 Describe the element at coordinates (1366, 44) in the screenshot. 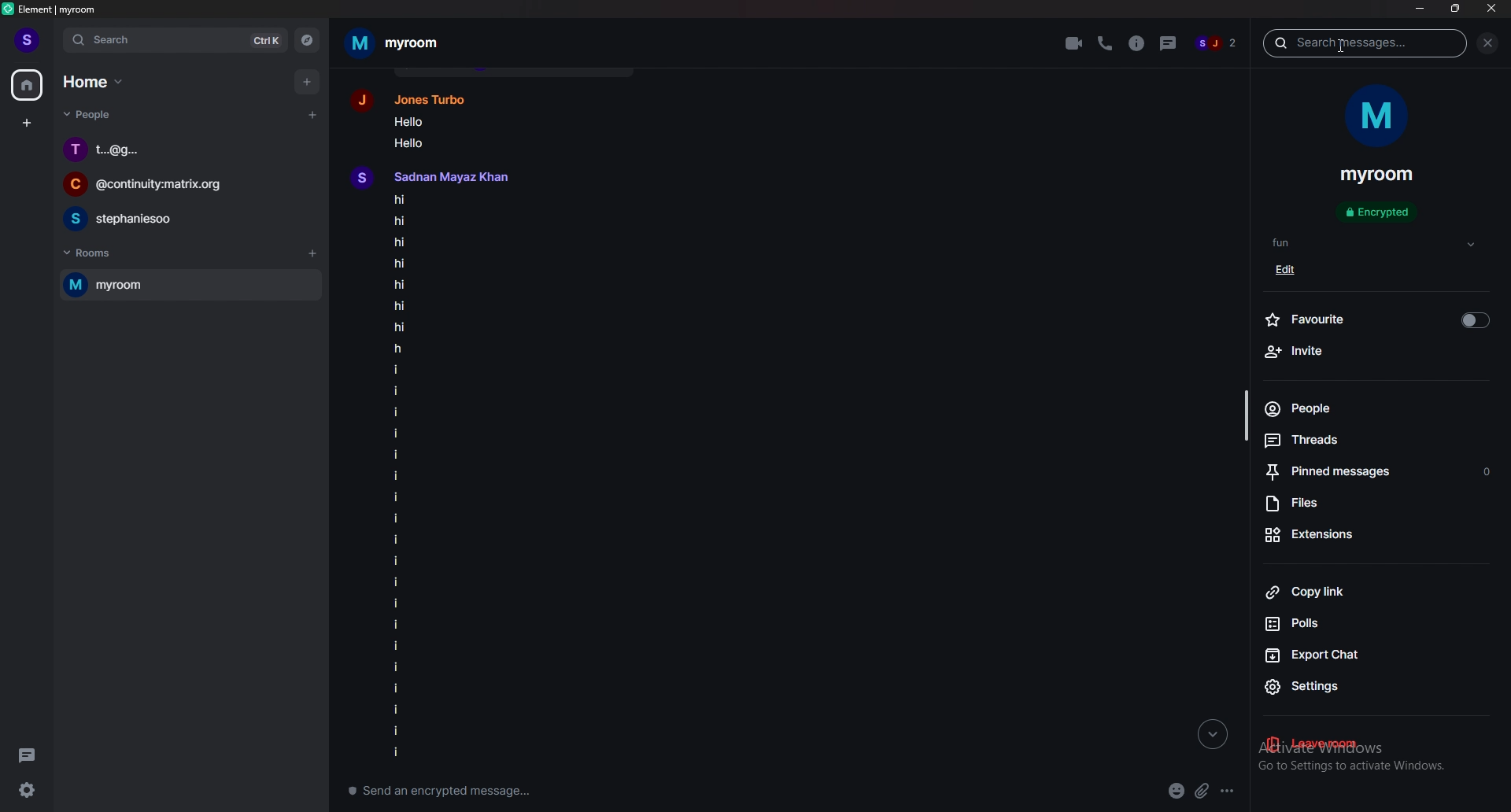

I see `search message` at that location.